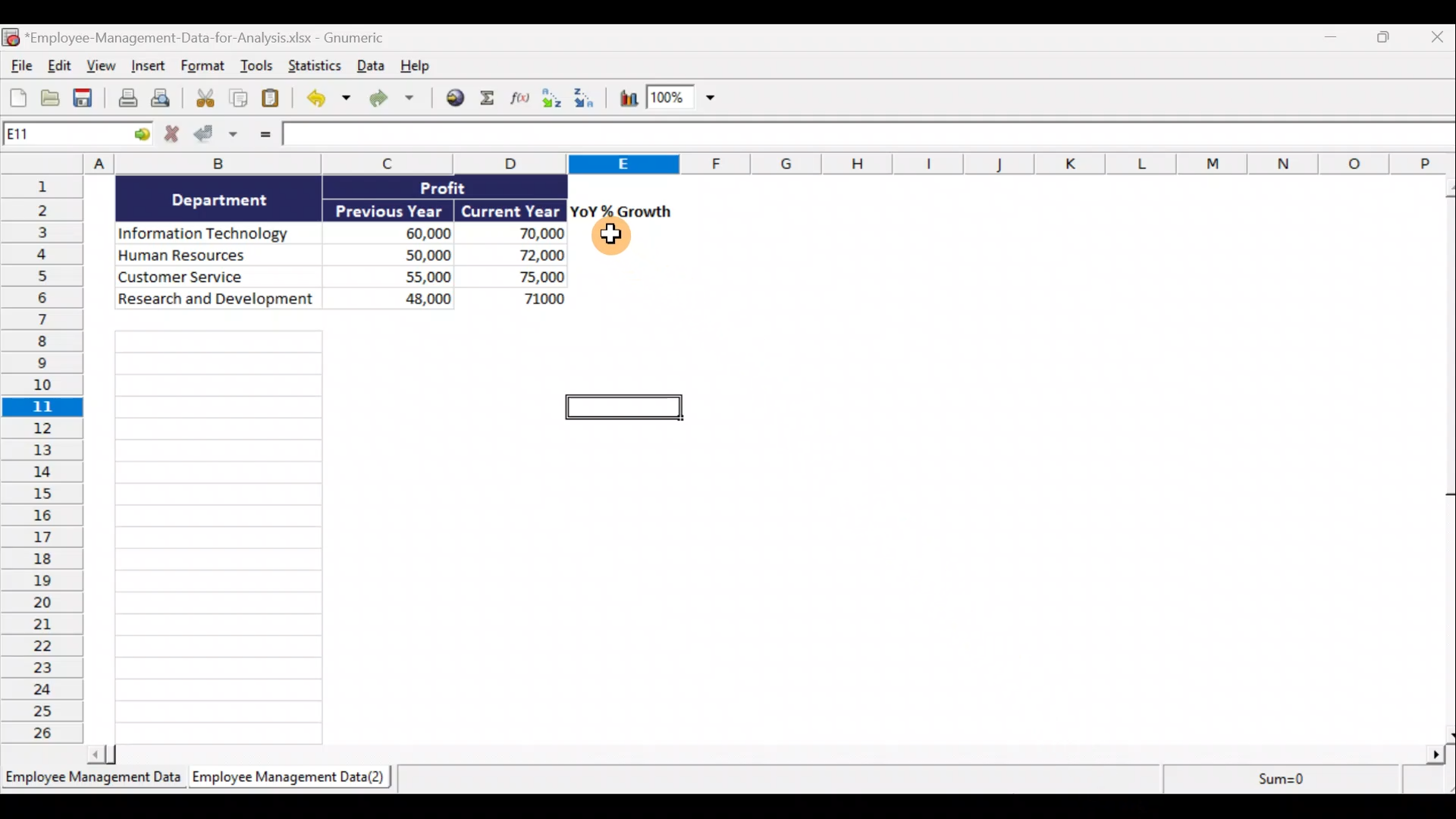 This screenshot has width=1456, height=819. Describe the element at coordinates (79, 136) in the screenshot. I see `Cell allocation` at that location.